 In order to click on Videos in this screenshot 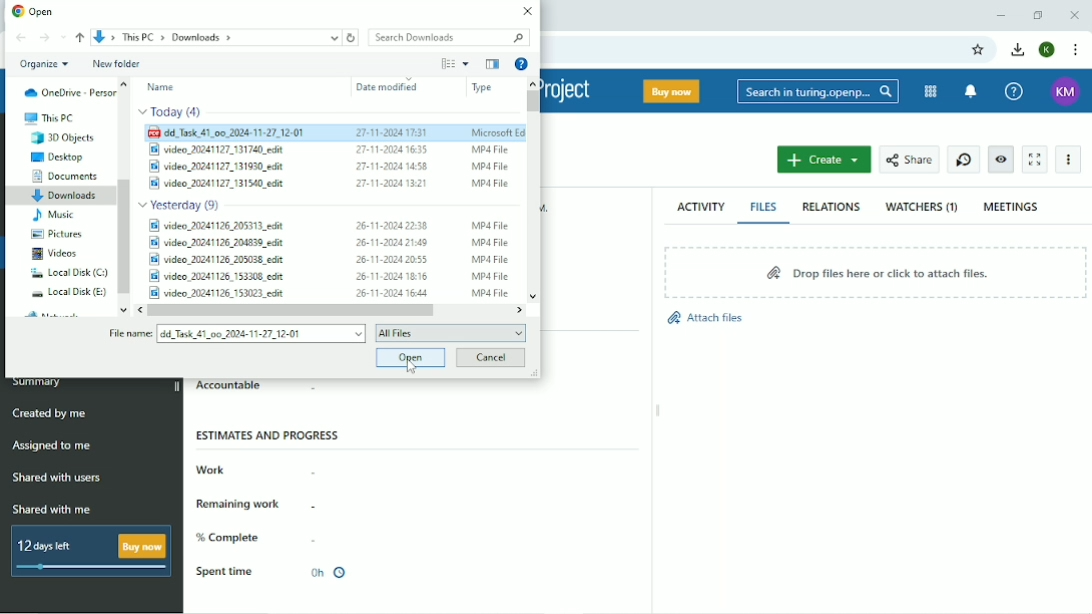, I will do `click(54, 254)`.